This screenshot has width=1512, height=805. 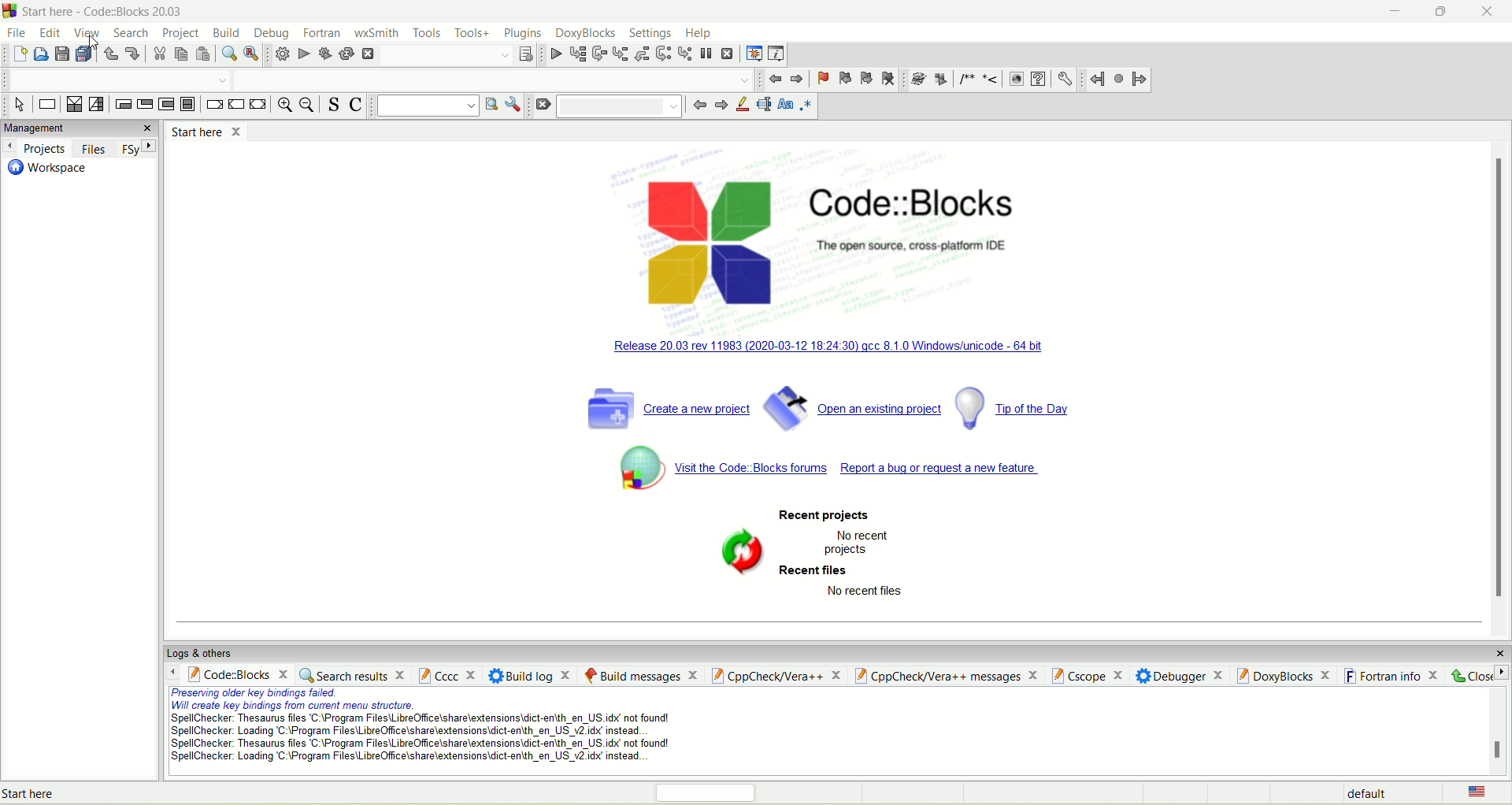 What do you see at coordinates (1499, 732) in the screenshot?
I see `vertical scroll bar` at bounding box center [1499, 732].